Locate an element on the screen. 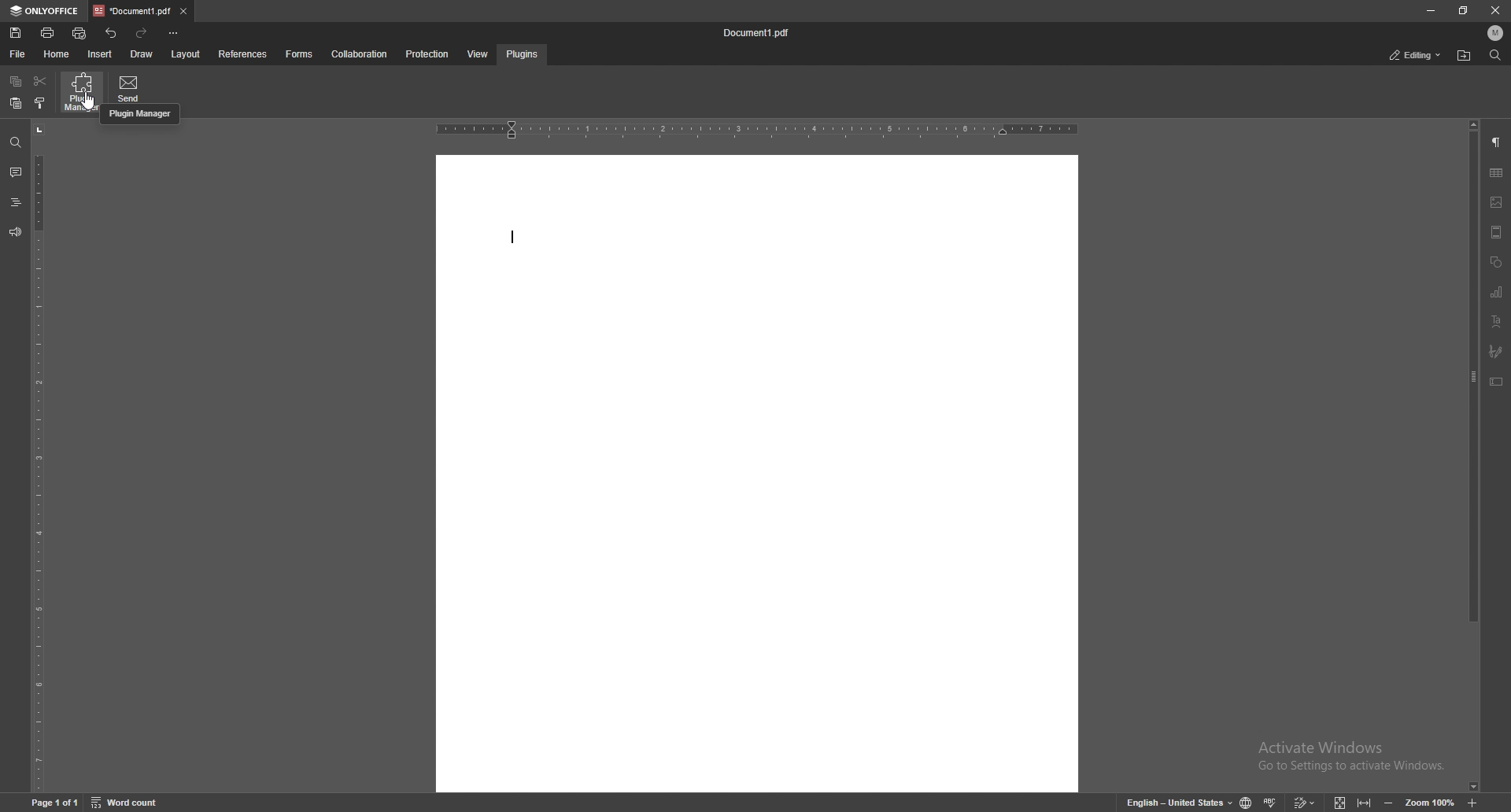 The width and height of the screenshot is (1511, 812). English - United States is located at coordinates (1173, 803).